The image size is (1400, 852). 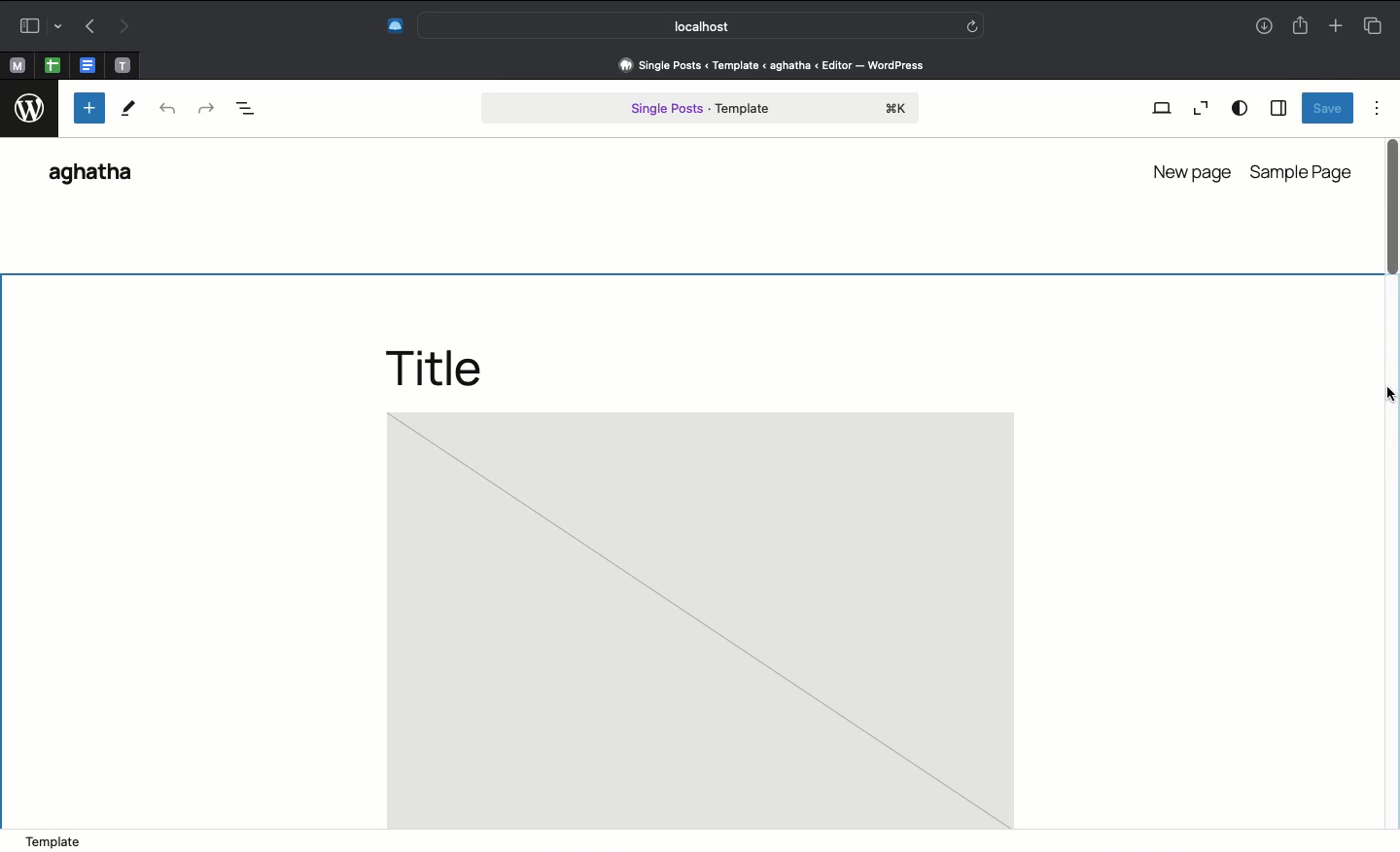 I want to click on Sidebar, so click(x=36, y=26).